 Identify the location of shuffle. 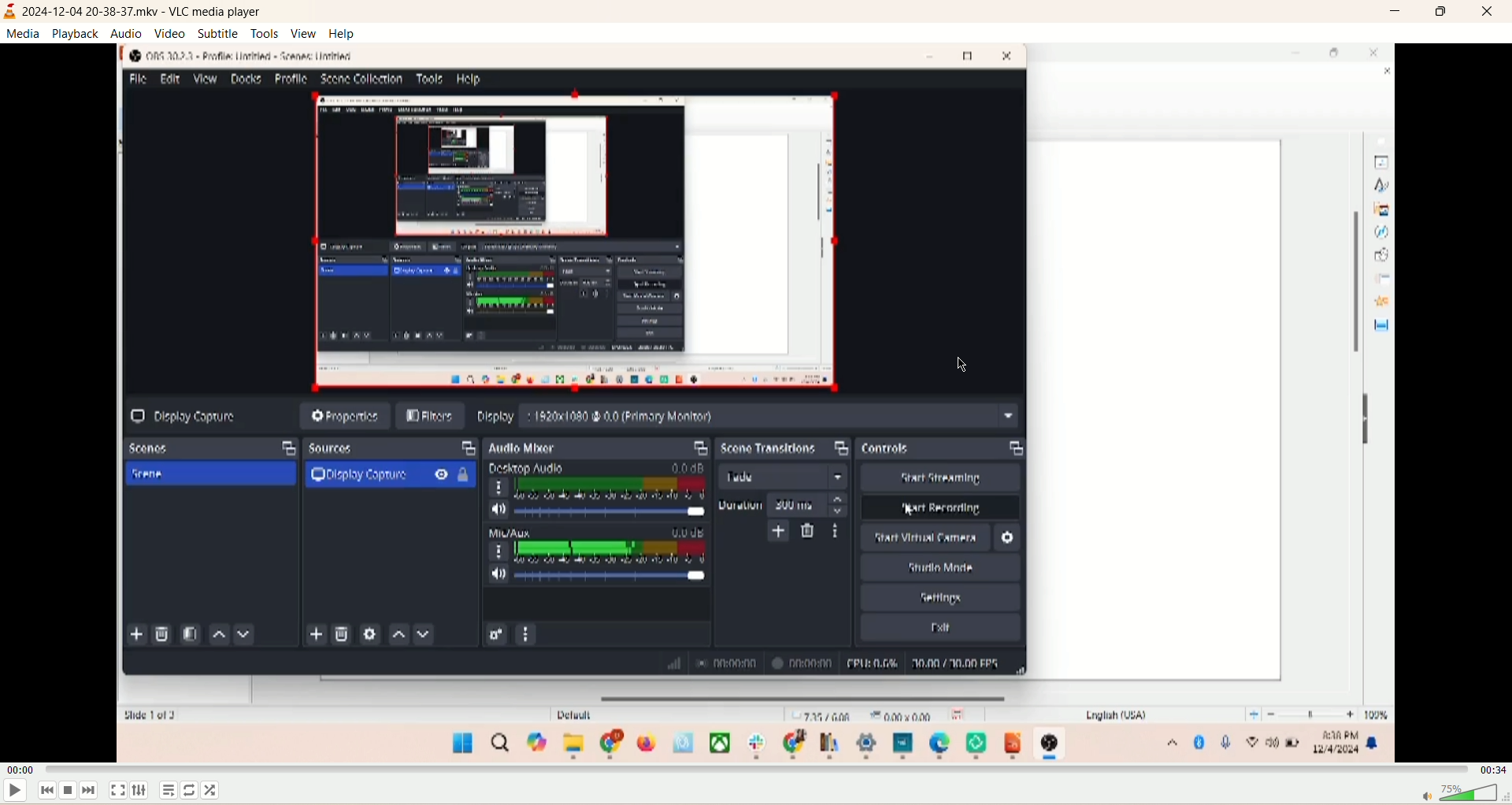
(216, 791).